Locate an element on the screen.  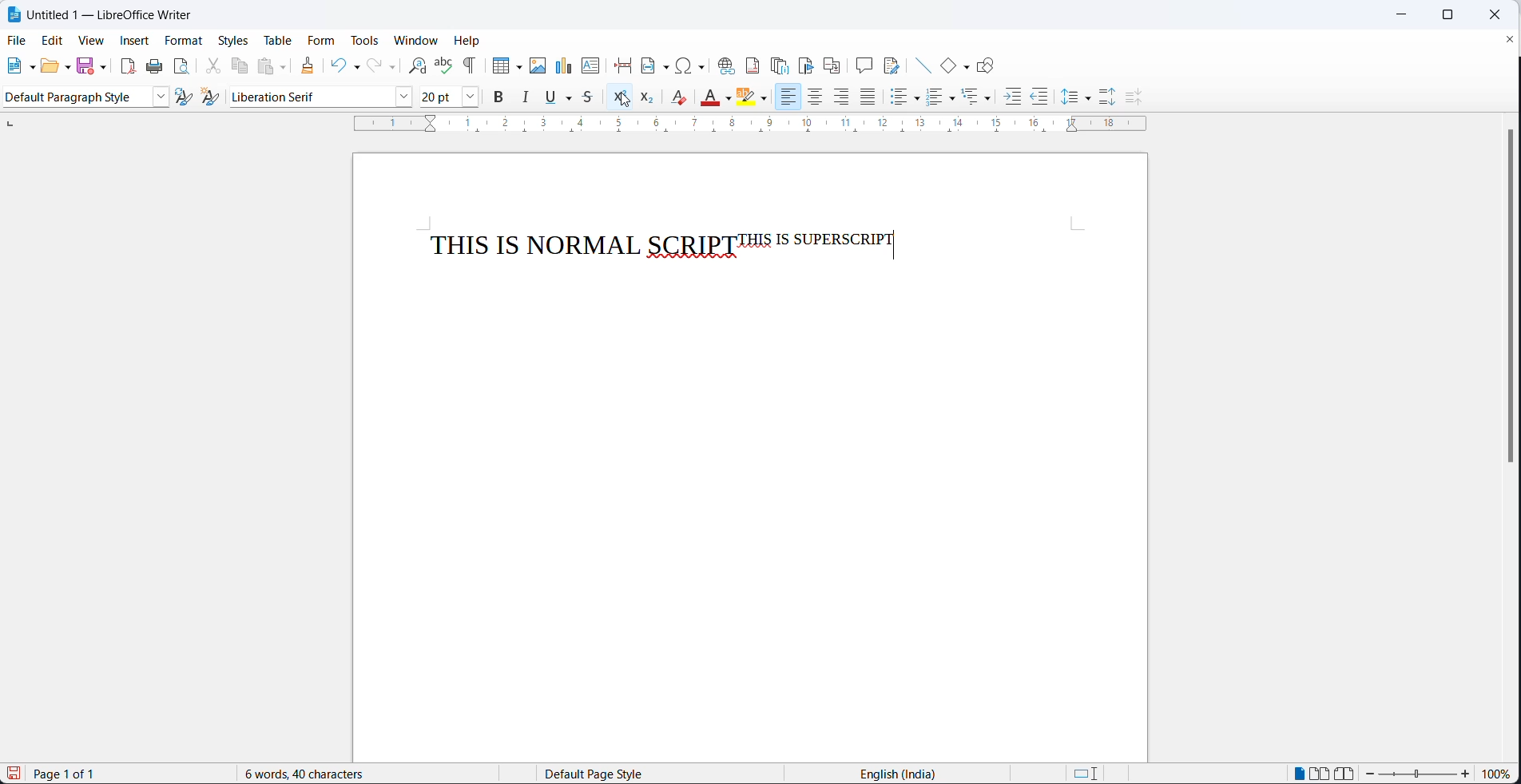
save is located at coordinates (86, 65).